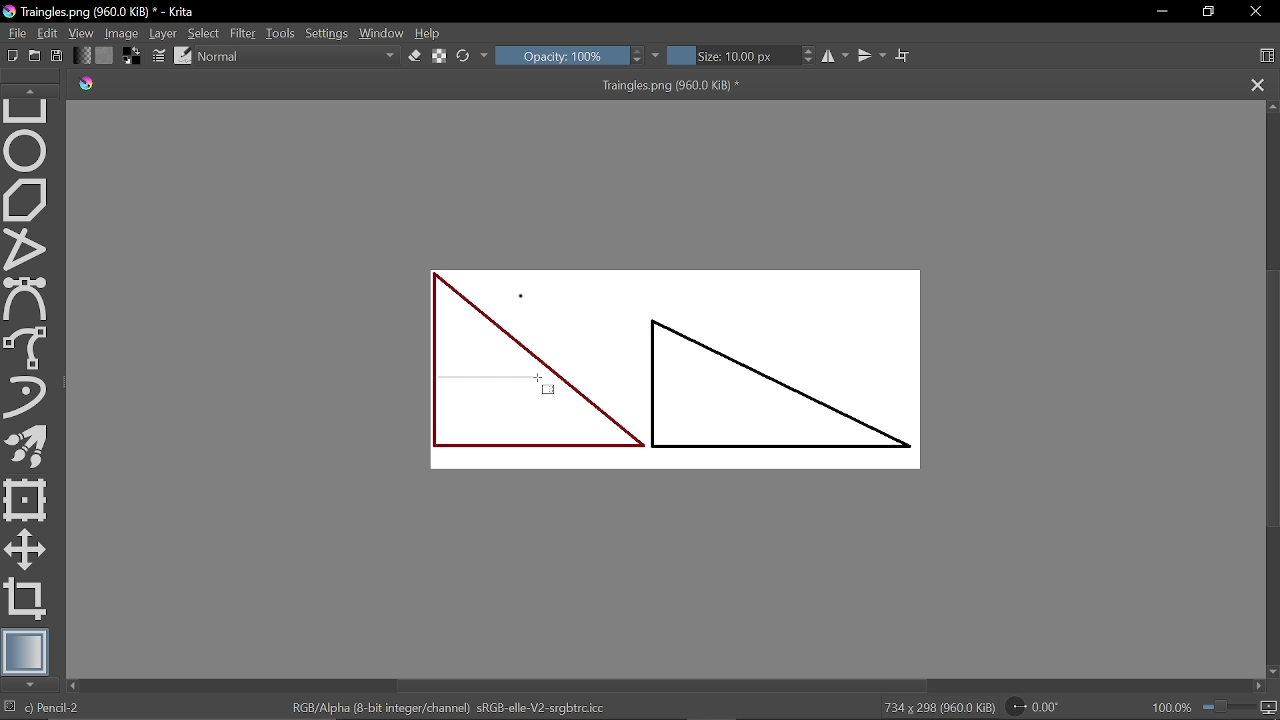 Image resolution: width=1280 pixels, height=720 pixels. Describe the element at coordinates (1162, 13) in the screenshot. I see `Minimize` at that location.